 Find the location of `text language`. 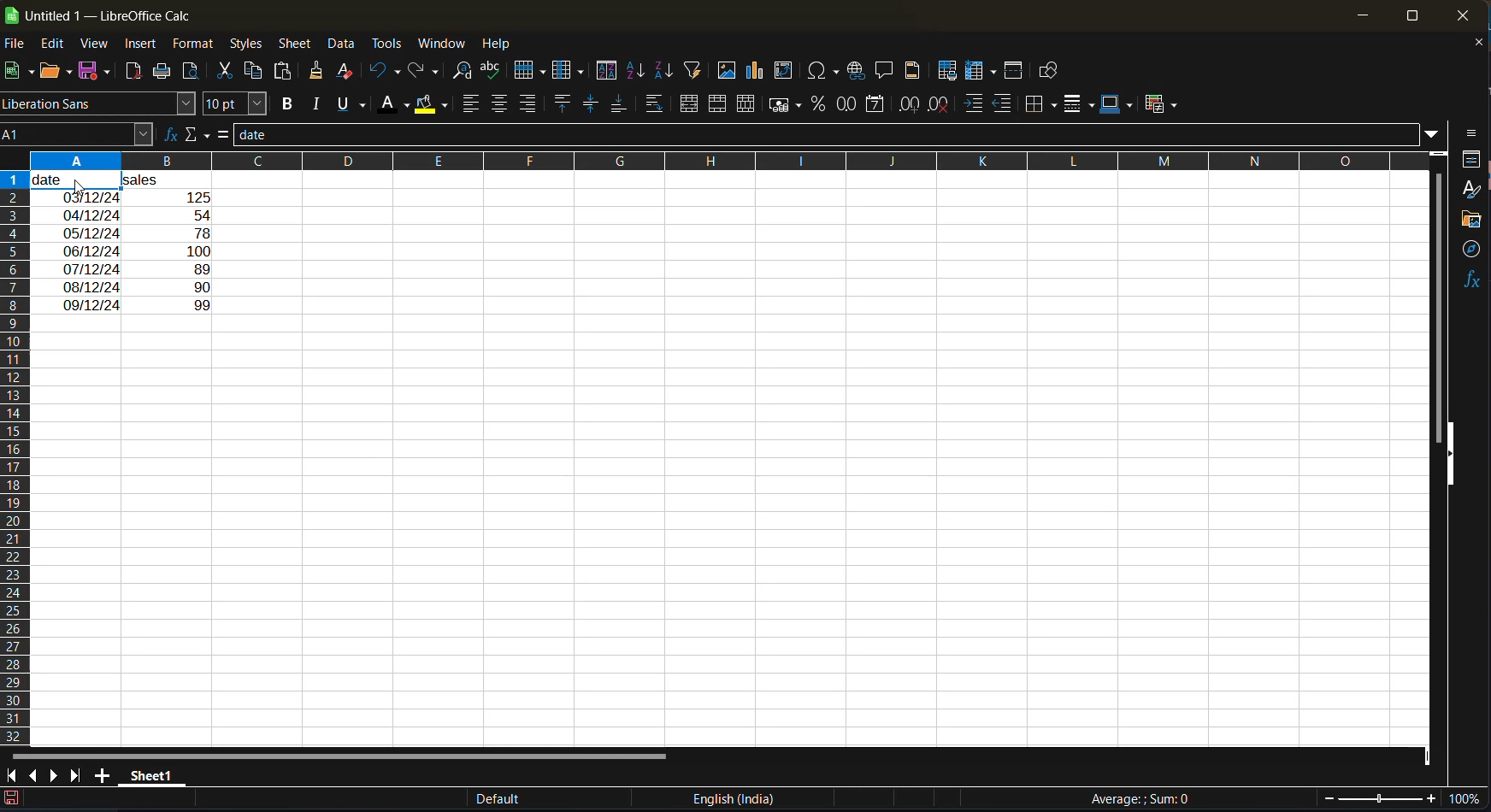

text language is located at coordinates (734, 798).